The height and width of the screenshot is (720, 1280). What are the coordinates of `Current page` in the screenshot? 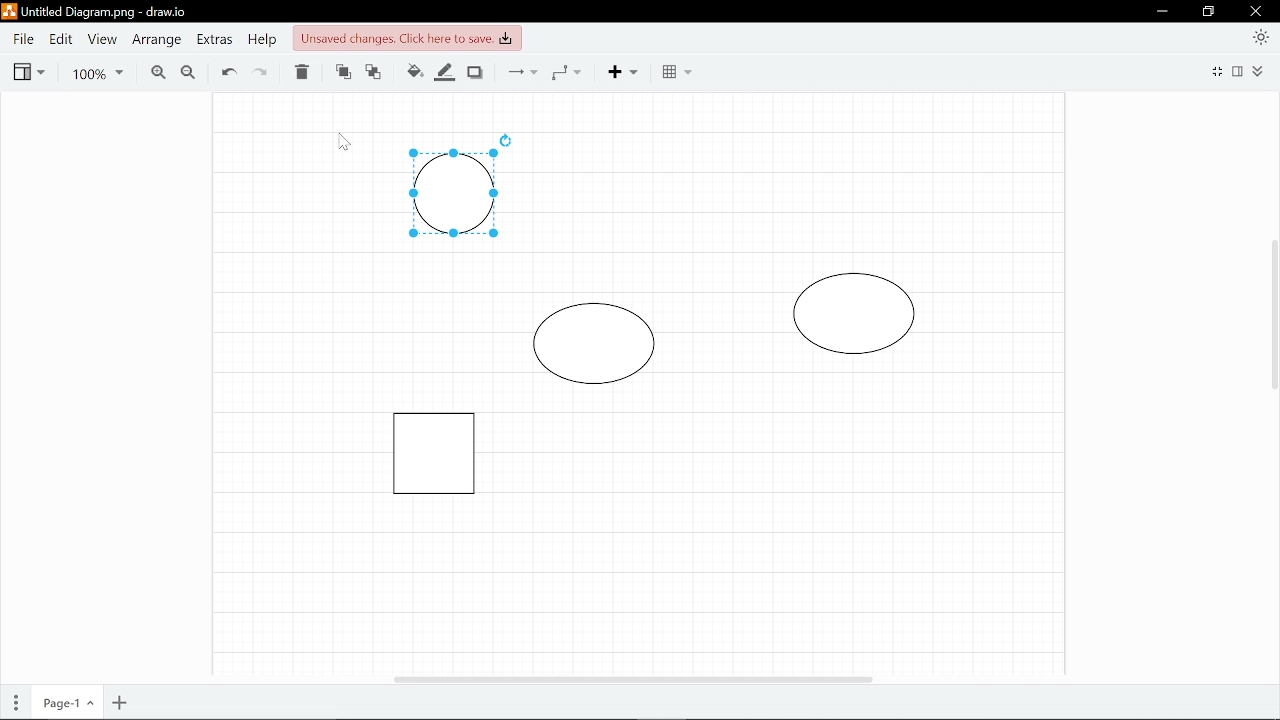 It's located at (65, 704).